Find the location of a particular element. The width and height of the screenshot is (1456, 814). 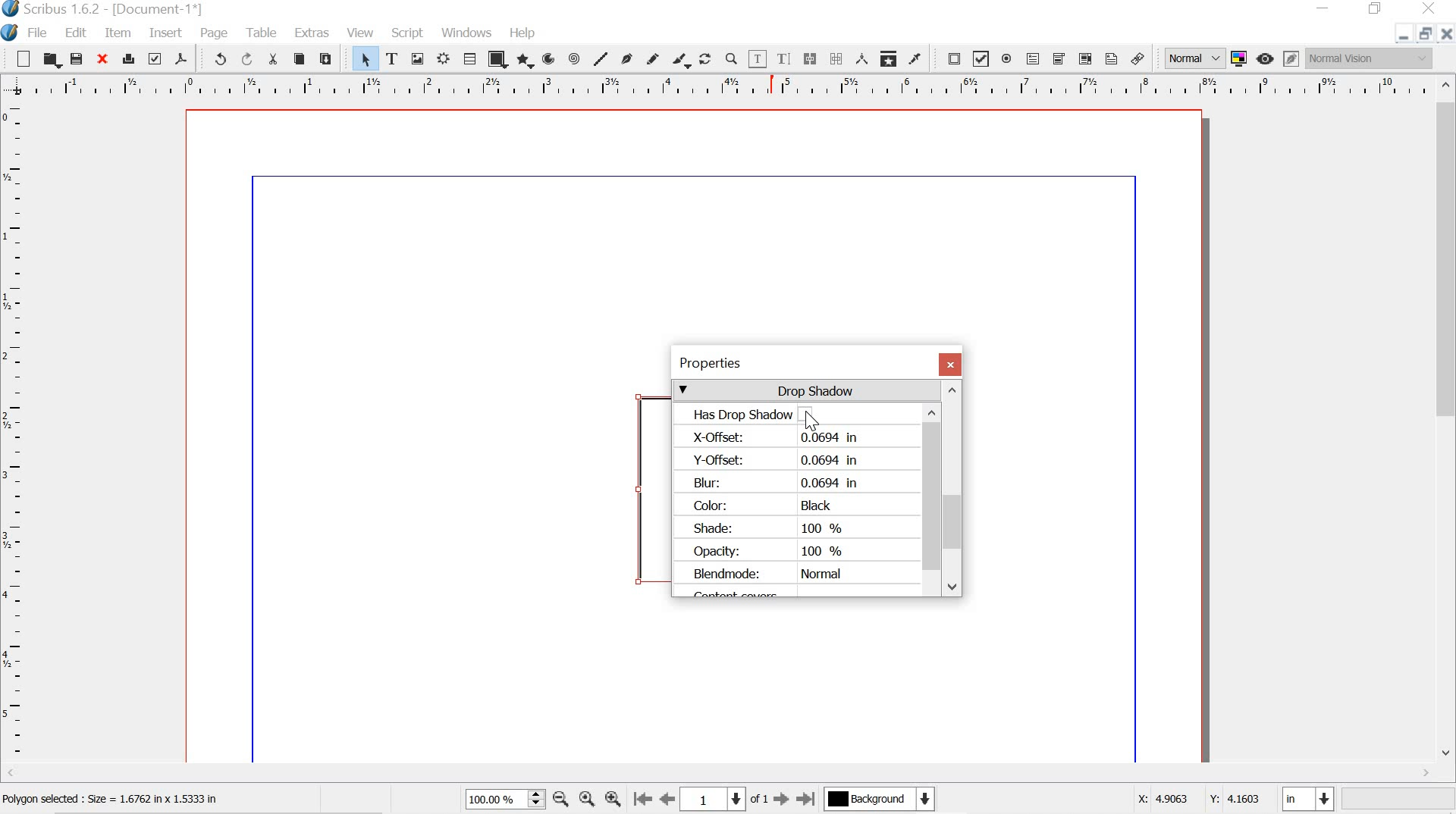

MINIMIZE is located at coordinates (1398, 39).